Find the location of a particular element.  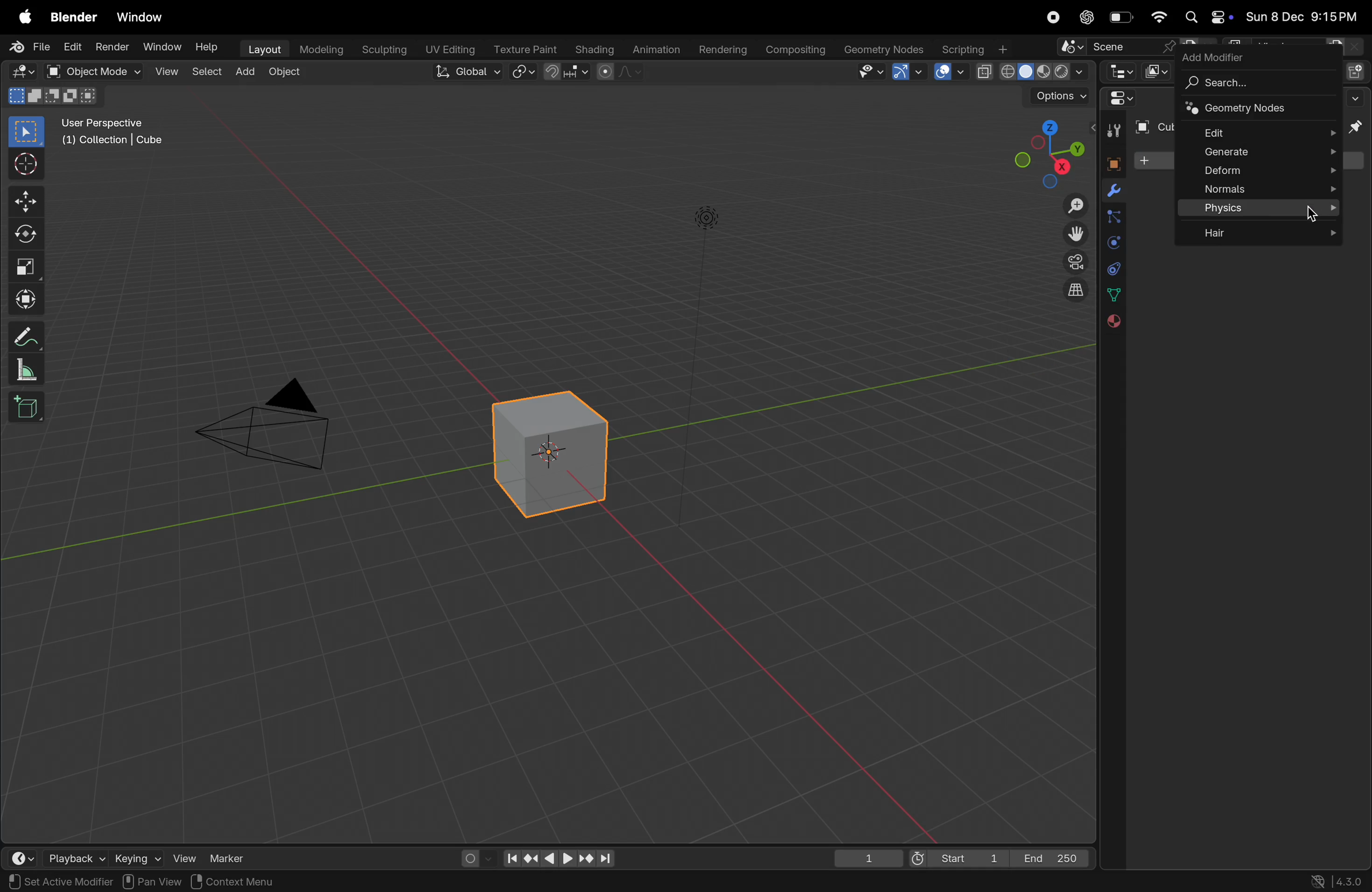

perspective camera is located at coordinates (275, 429).